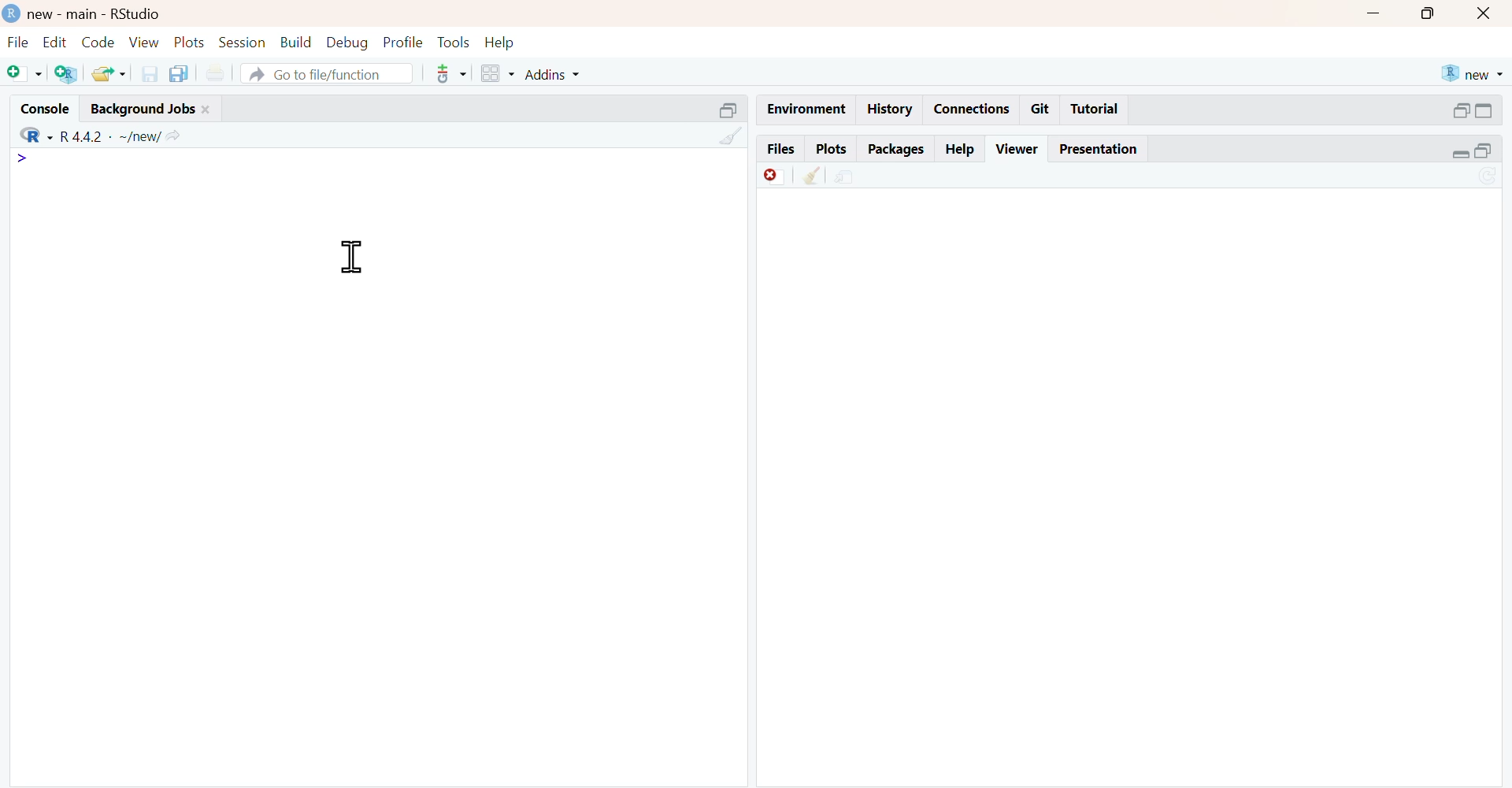 This screenshot has width=1512, height=788. What do you see at coordinates (24, 72) in the screenshot?
I see `Add file as` at bounding box center [24, 72].